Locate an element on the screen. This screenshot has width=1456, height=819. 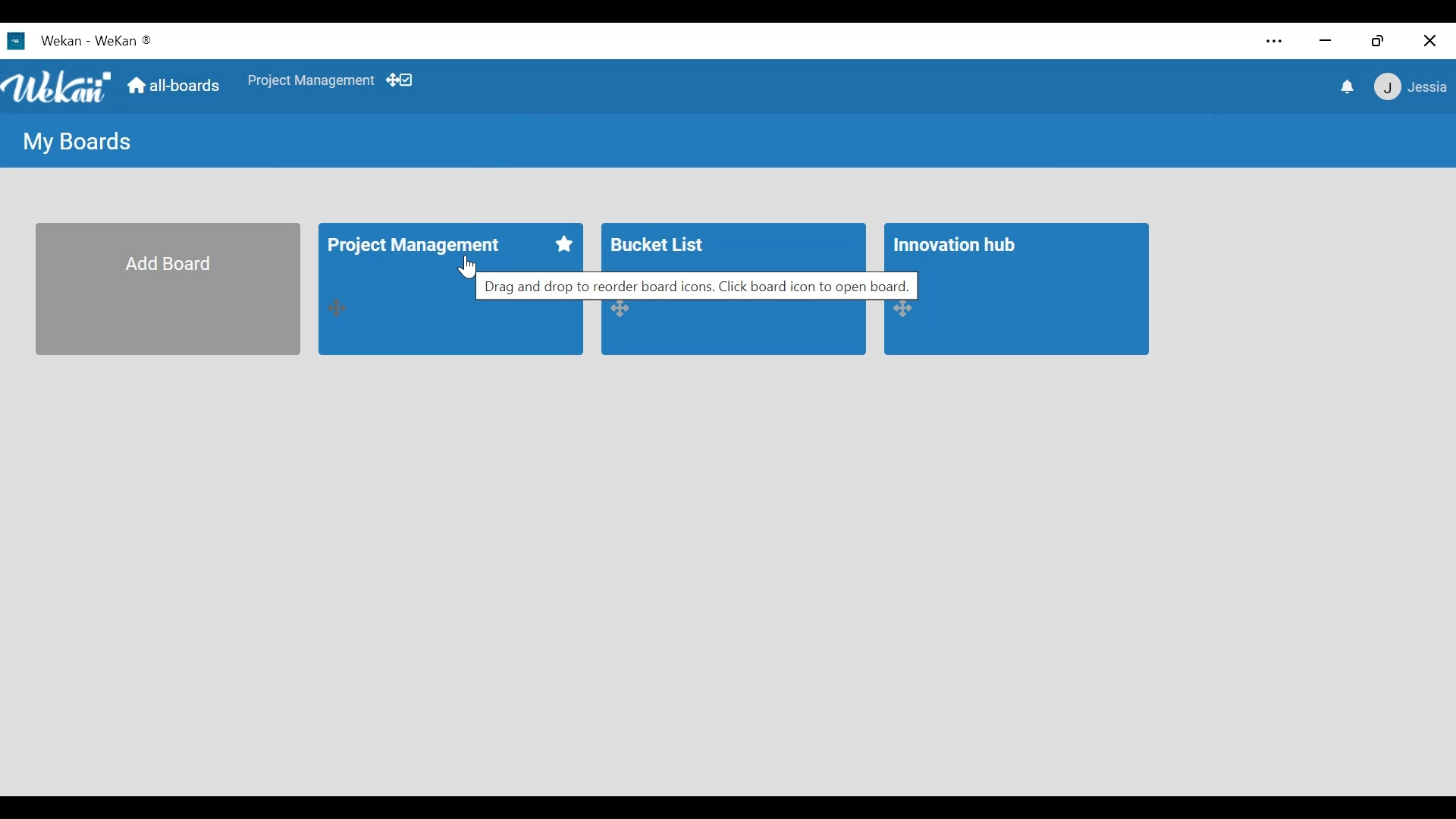
Wekan Desktop icon is located at coordinates (42, 39).